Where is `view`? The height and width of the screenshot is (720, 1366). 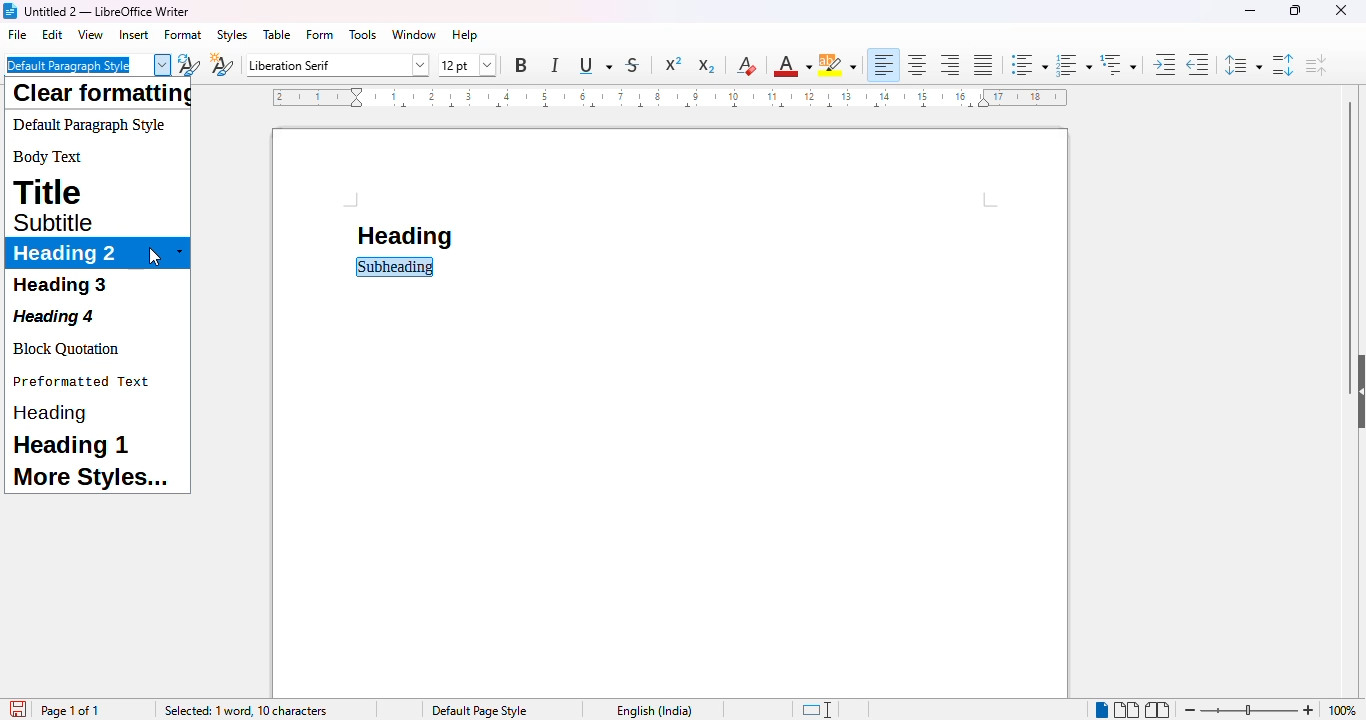
view is located at coordinates (91, 34).